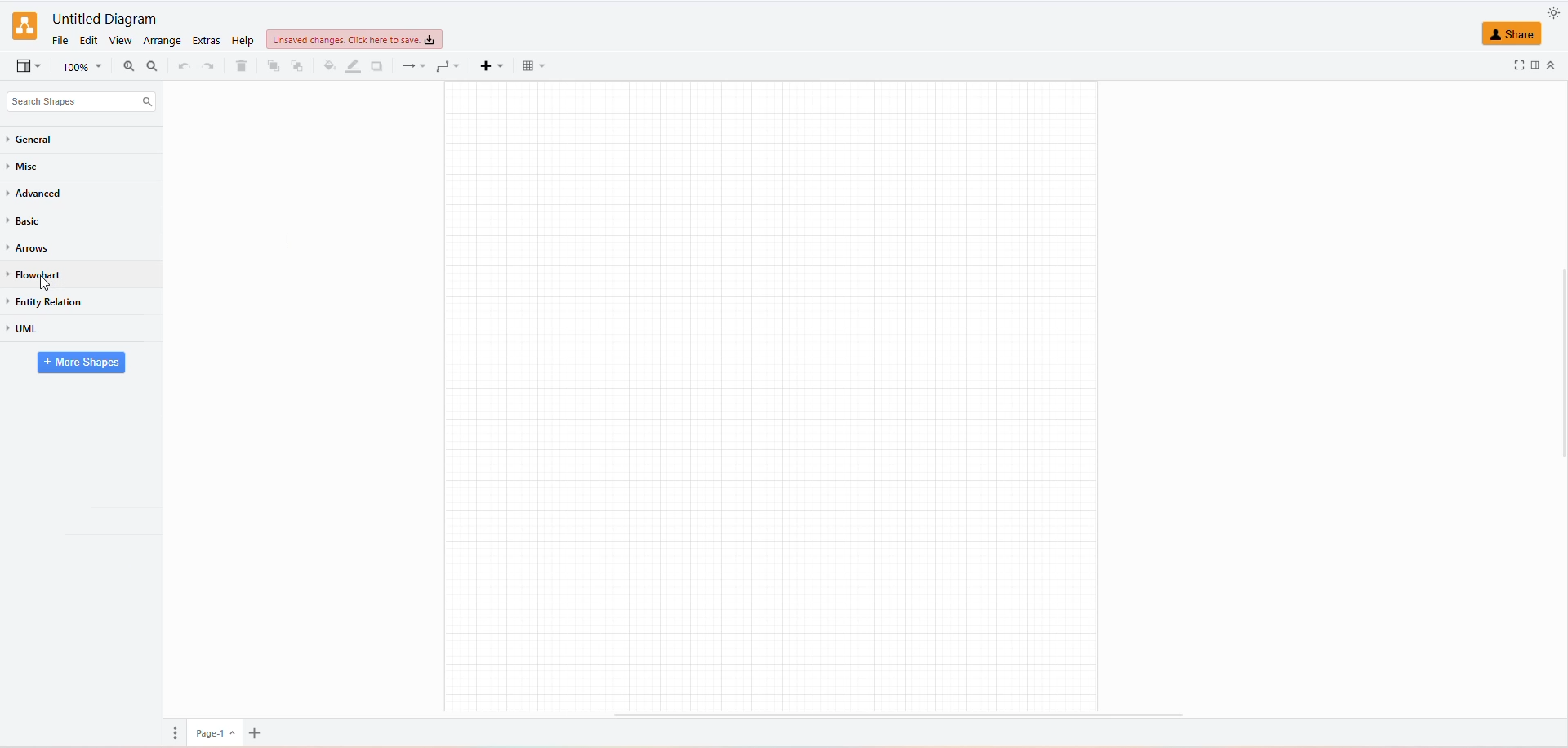 This screenshot has width=1568, height=748. What do you see at coordinates (1506, 67) in the screenshot?
I see `FULLSCREEN` at bounding box center [1506, 67].